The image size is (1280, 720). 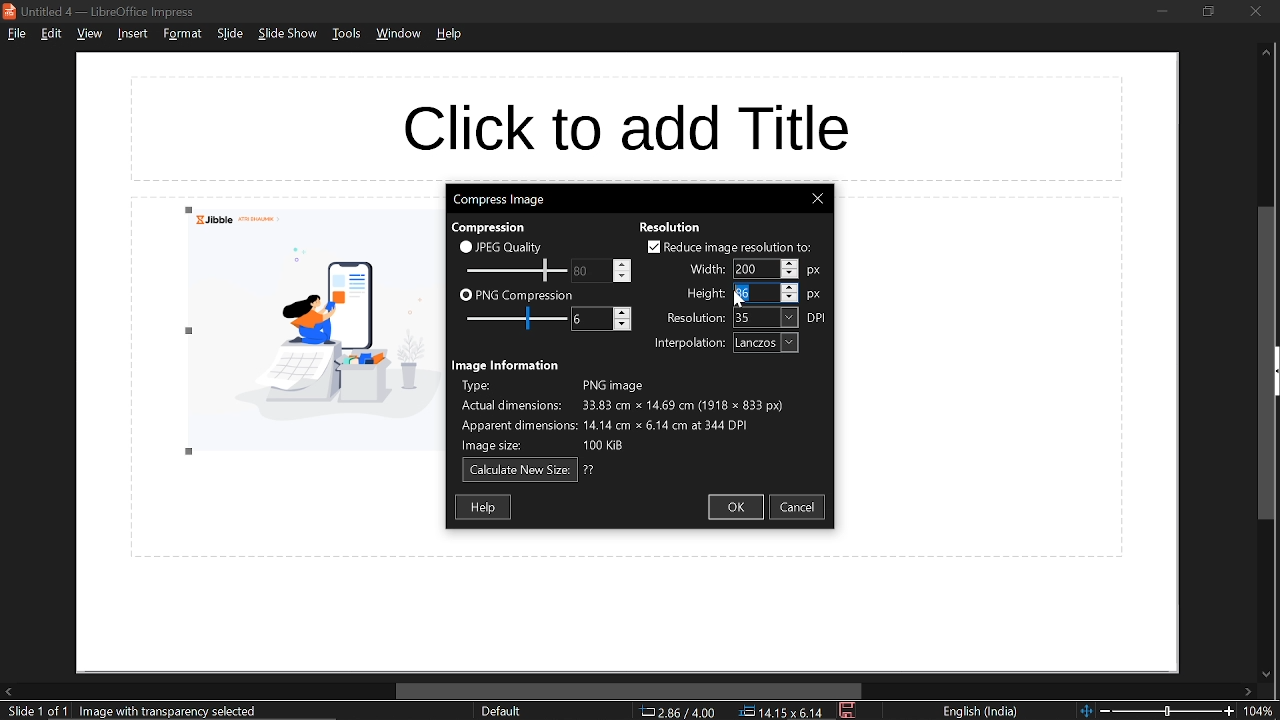 What do you see at coordinates (981, 712) in the screenshot?
I see `language` at bounding box center [981, 712].